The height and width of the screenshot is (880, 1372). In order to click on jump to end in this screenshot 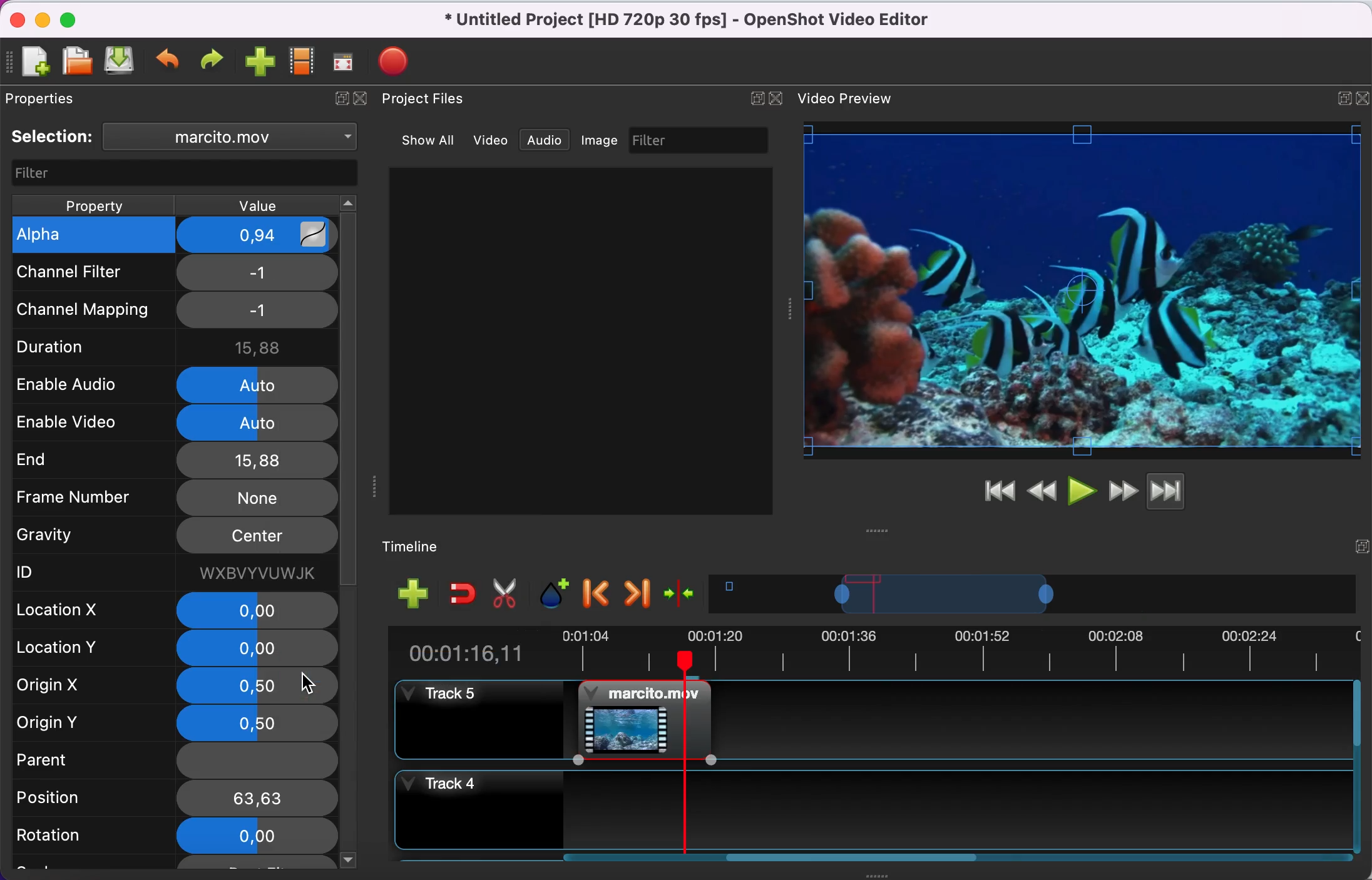, I will do `click(1185, 493)`.